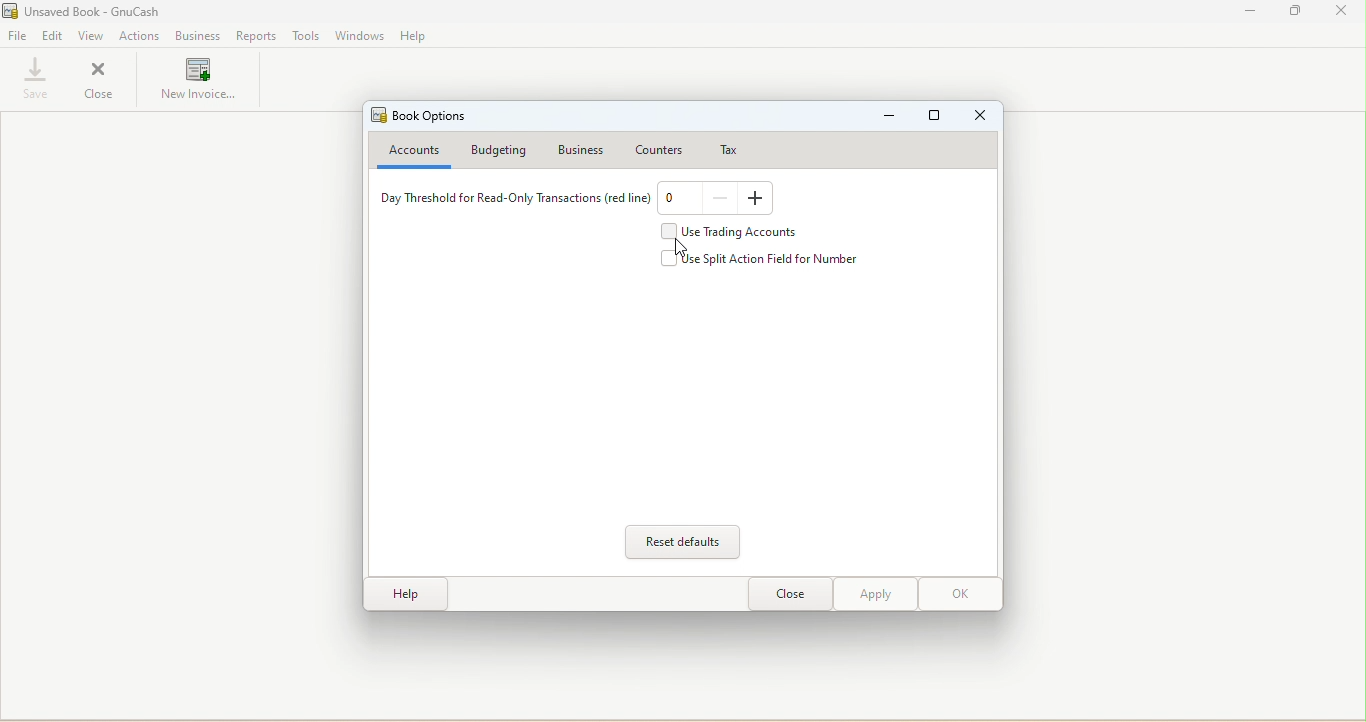  I want to click on New invoices, so click(200, 84).